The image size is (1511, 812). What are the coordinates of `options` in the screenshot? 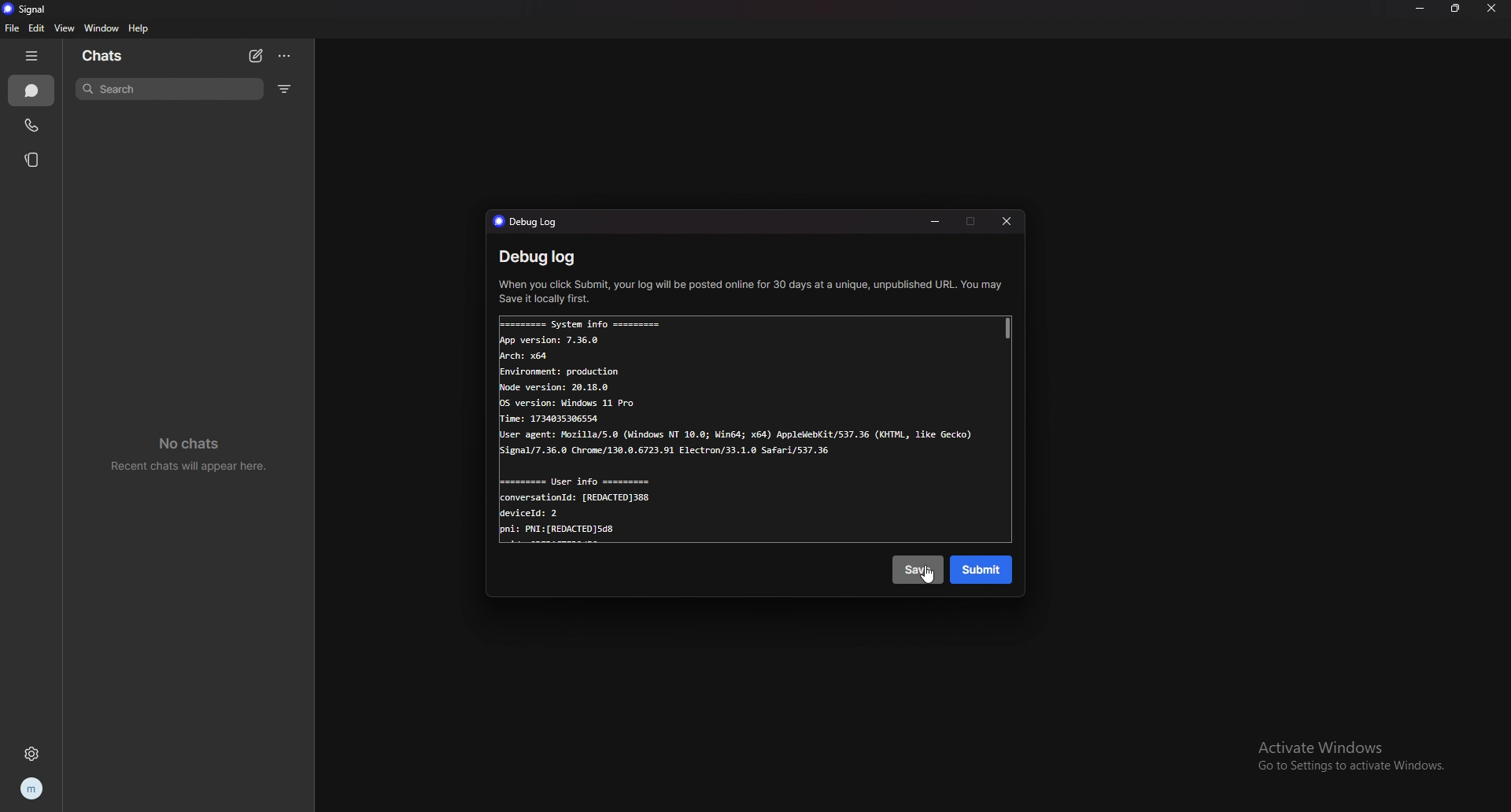 It's located at (284, 56).